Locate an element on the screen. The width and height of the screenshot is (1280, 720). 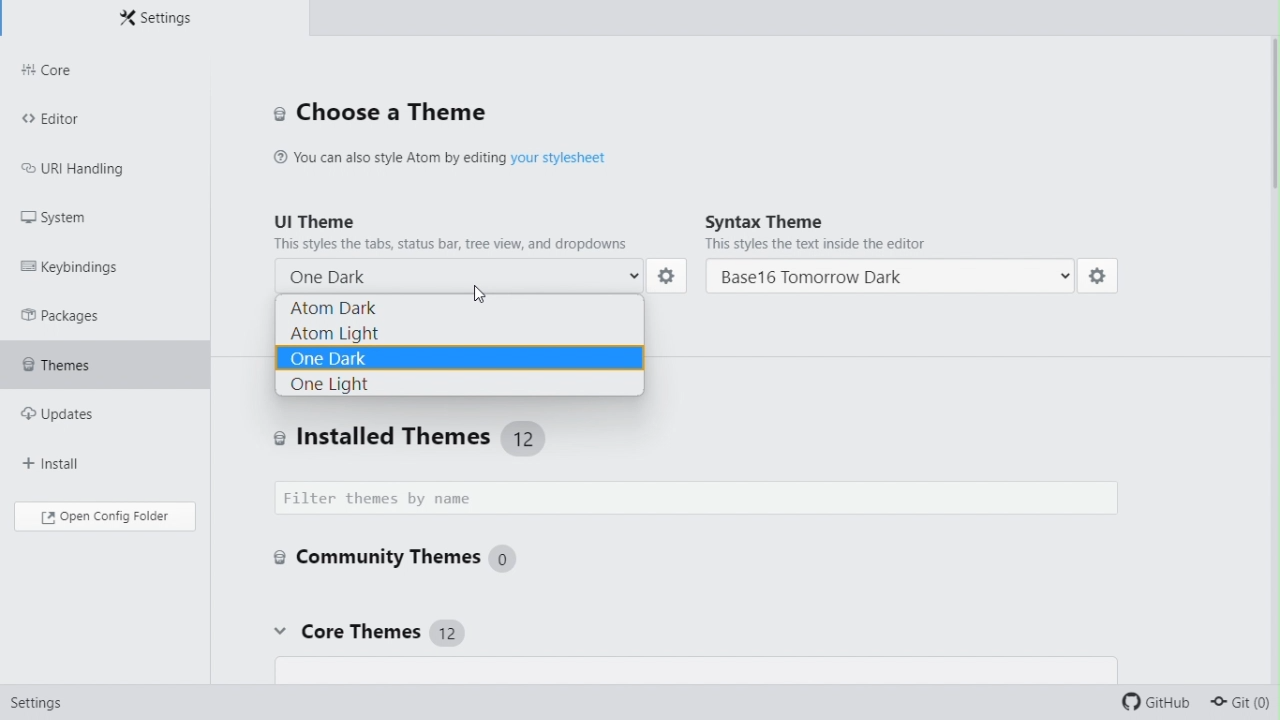
settings is located at coordinates (1099, 280).